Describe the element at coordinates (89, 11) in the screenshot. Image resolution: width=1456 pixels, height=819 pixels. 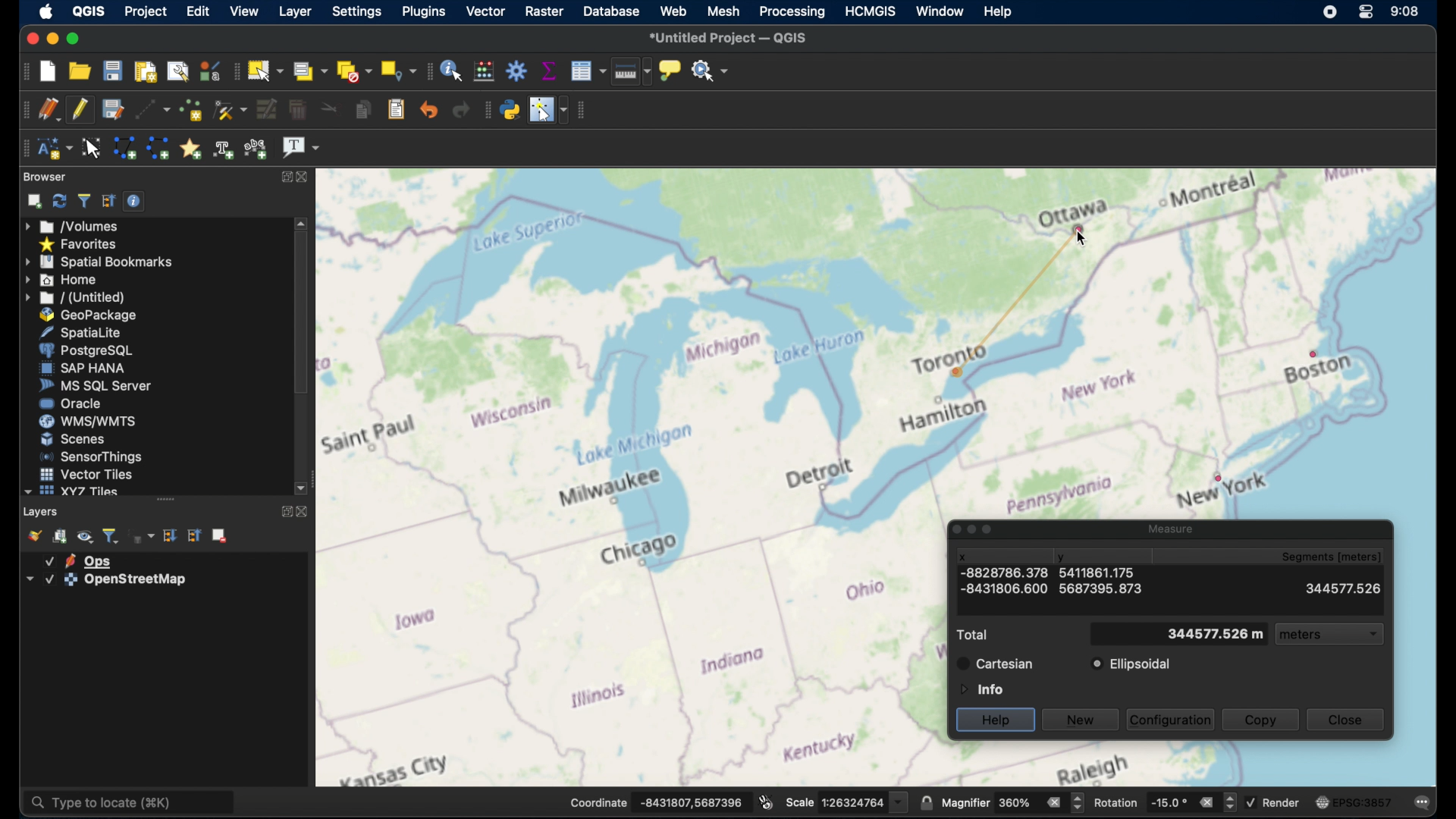
I see `qgis` at that location.